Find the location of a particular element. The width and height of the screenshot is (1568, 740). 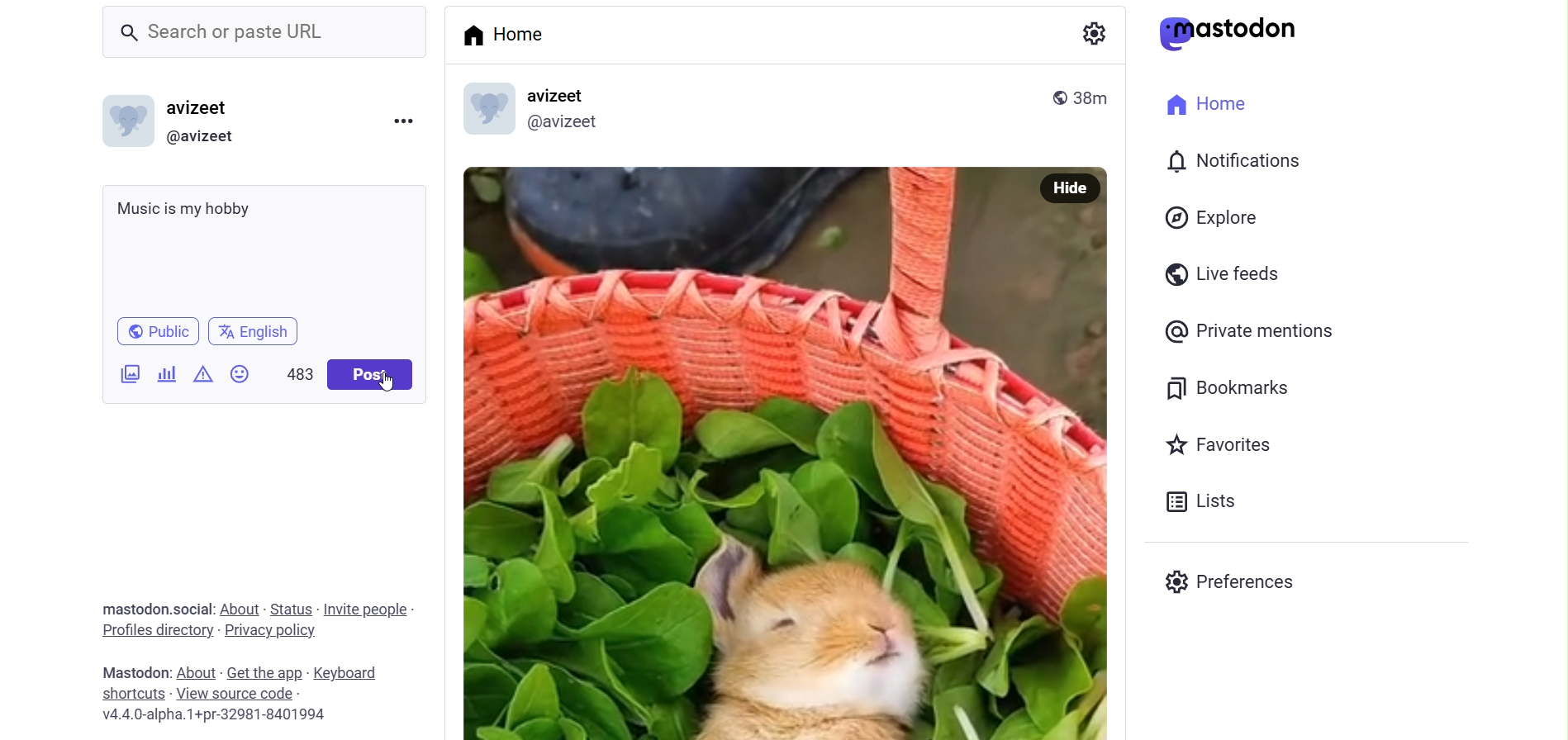

Emojis is located at coordinates (242, 373).